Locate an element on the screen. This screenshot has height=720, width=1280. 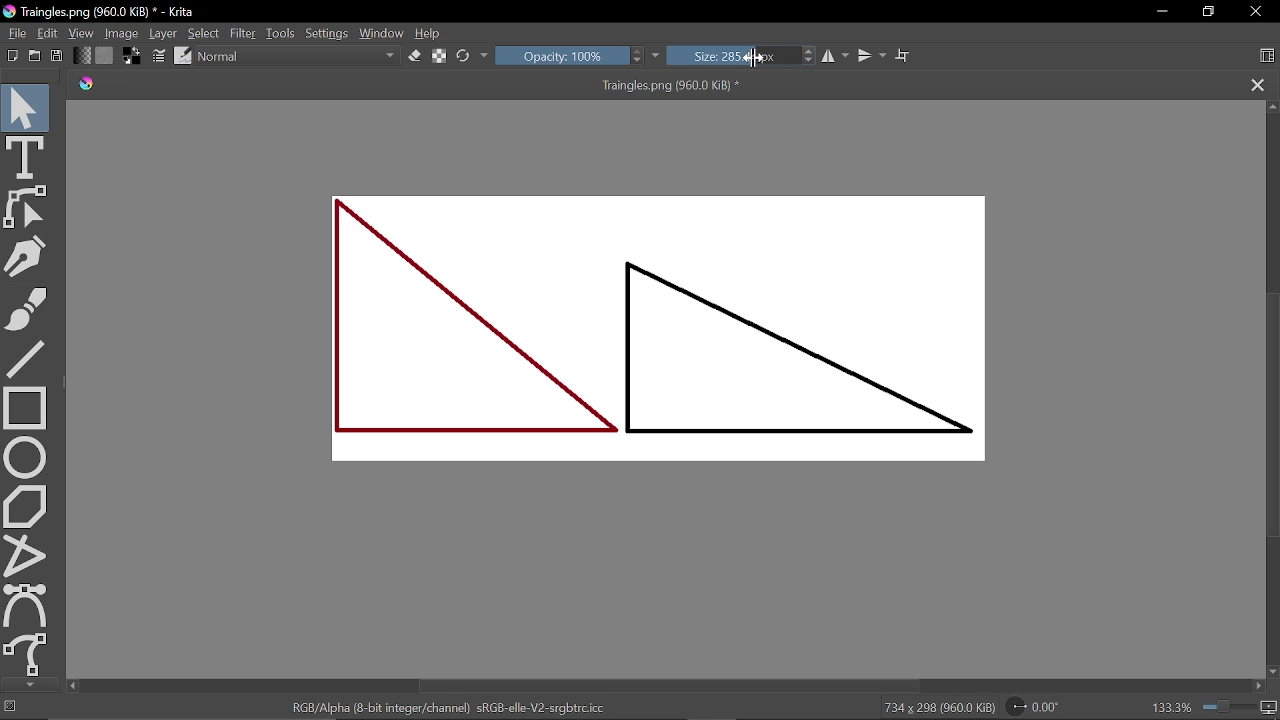
Rotation is located at coordinates (1033, 705).